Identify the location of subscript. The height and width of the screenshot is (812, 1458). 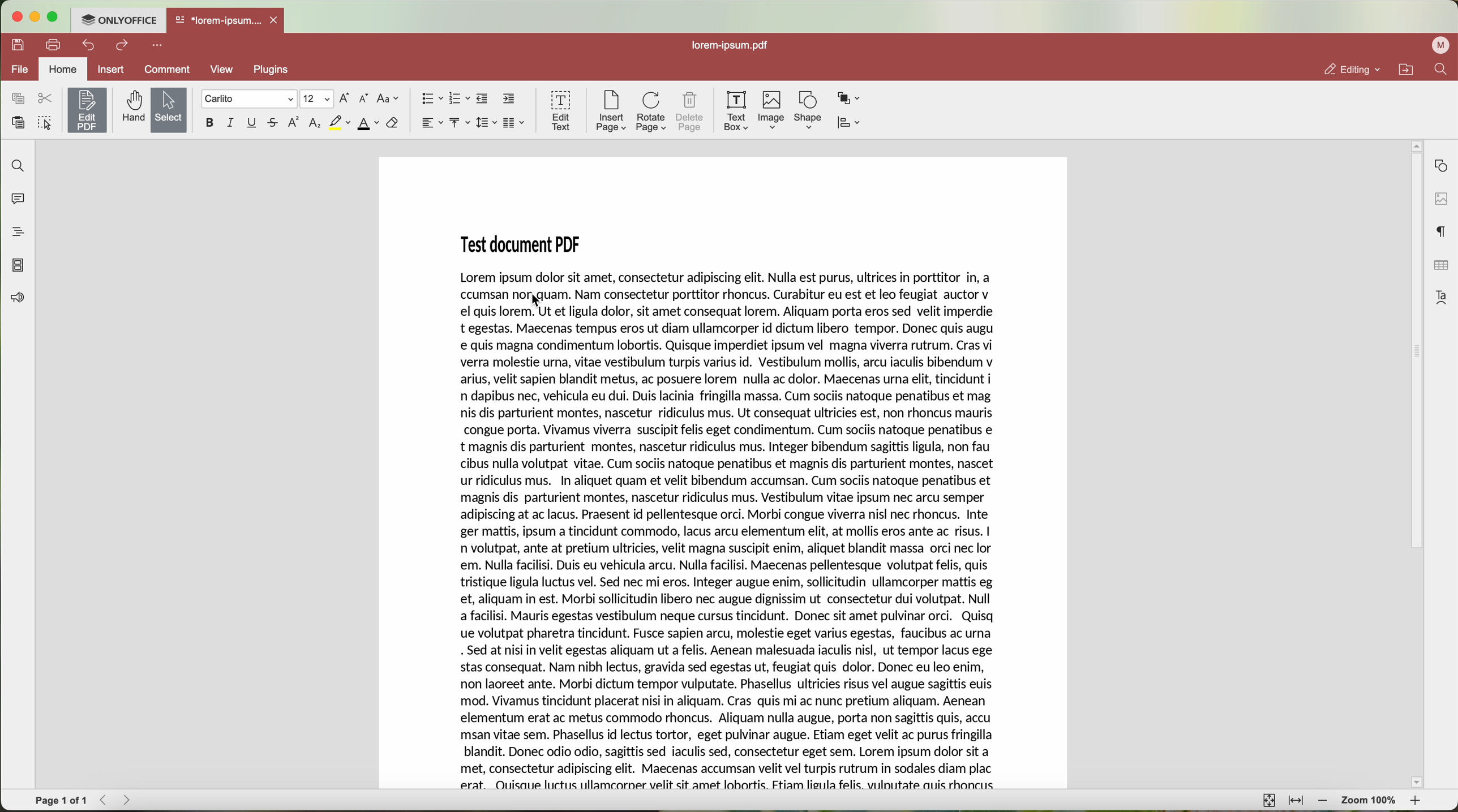
(316, 123).